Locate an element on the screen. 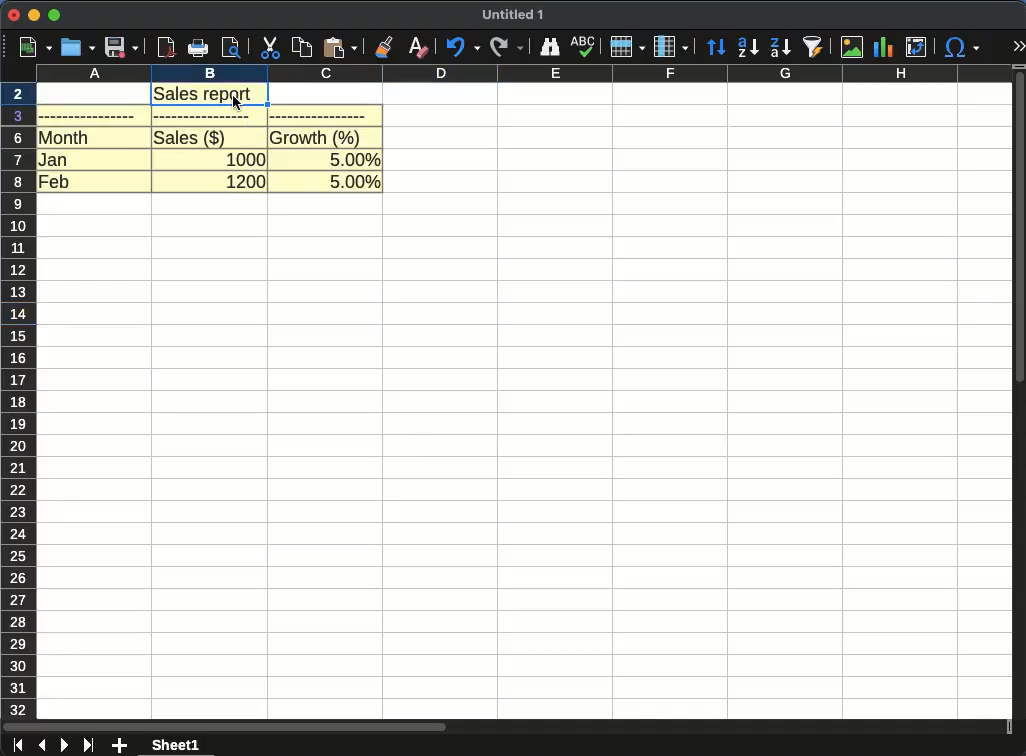 The height and width of the screenshot is (756, 1026). sort is located at coordinates (717, 48).